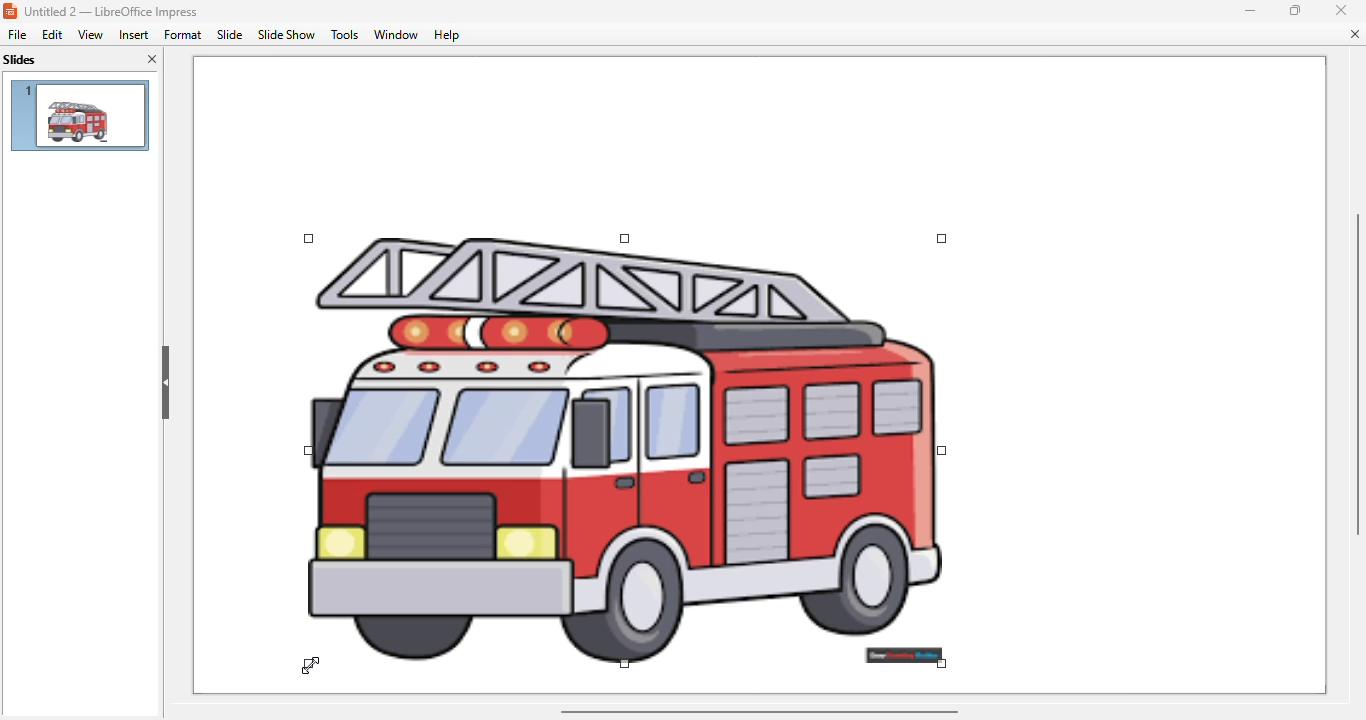 This screenshot has width=1366, height=720. What do you see at coordinates (20, 60) in the screenshot?
I see `slides` at bounding box center [20, 60].